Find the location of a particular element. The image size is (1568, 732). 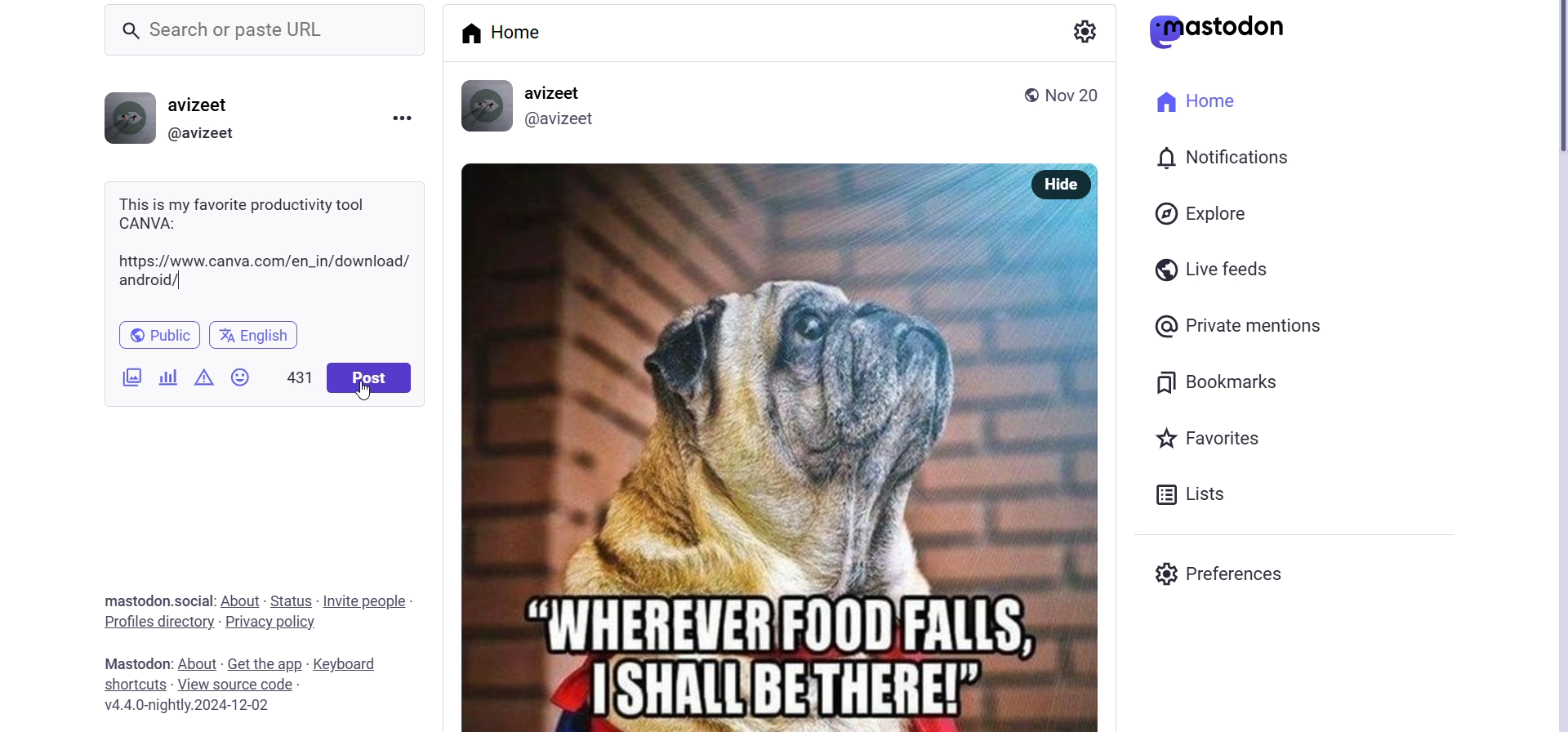

mastodon is located at coordinates (1222, 29).